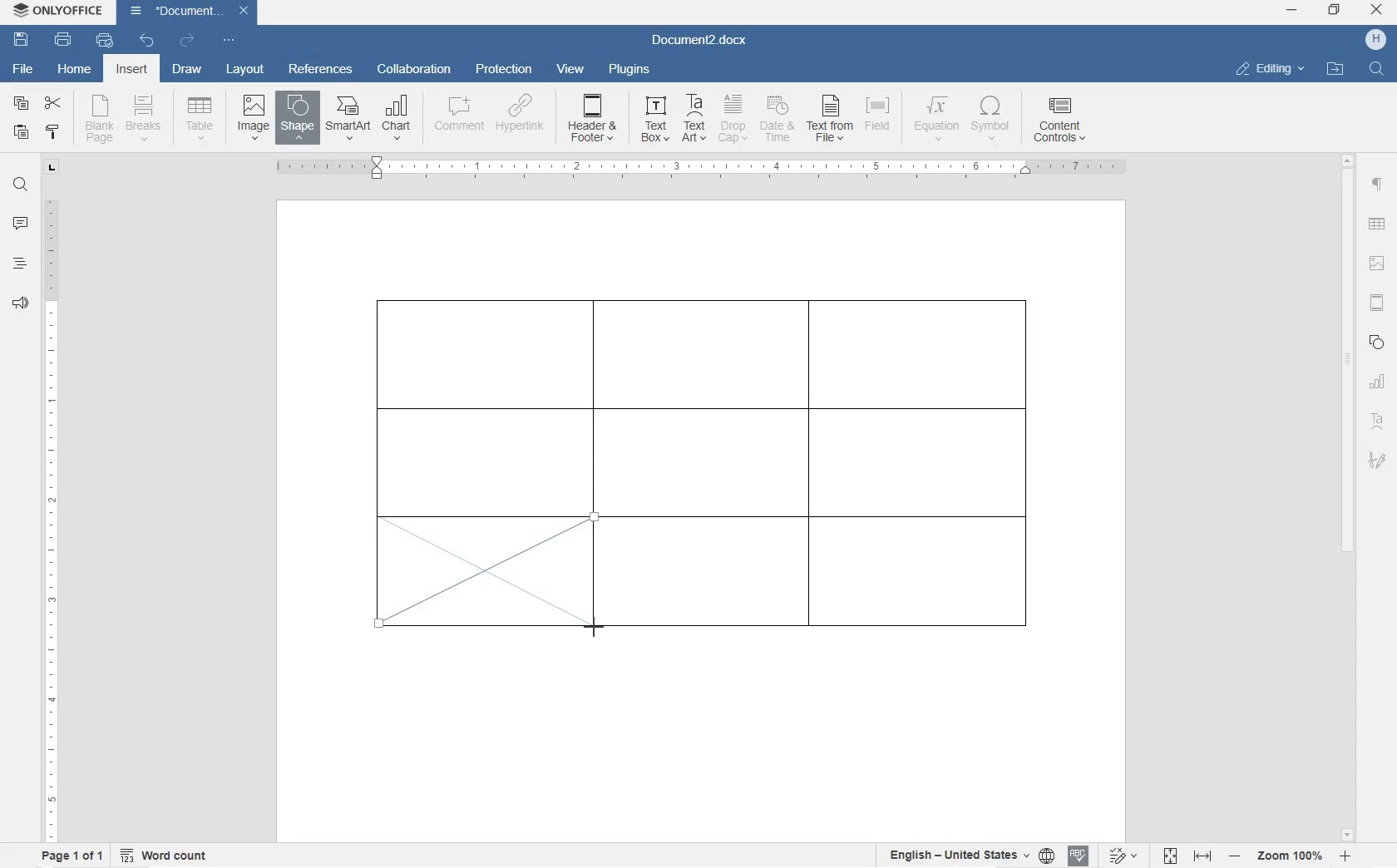  What do you see at coordinates (1348, 496) in the screenshot?
I see `scrollbar` at bounding box center [1348, 496].